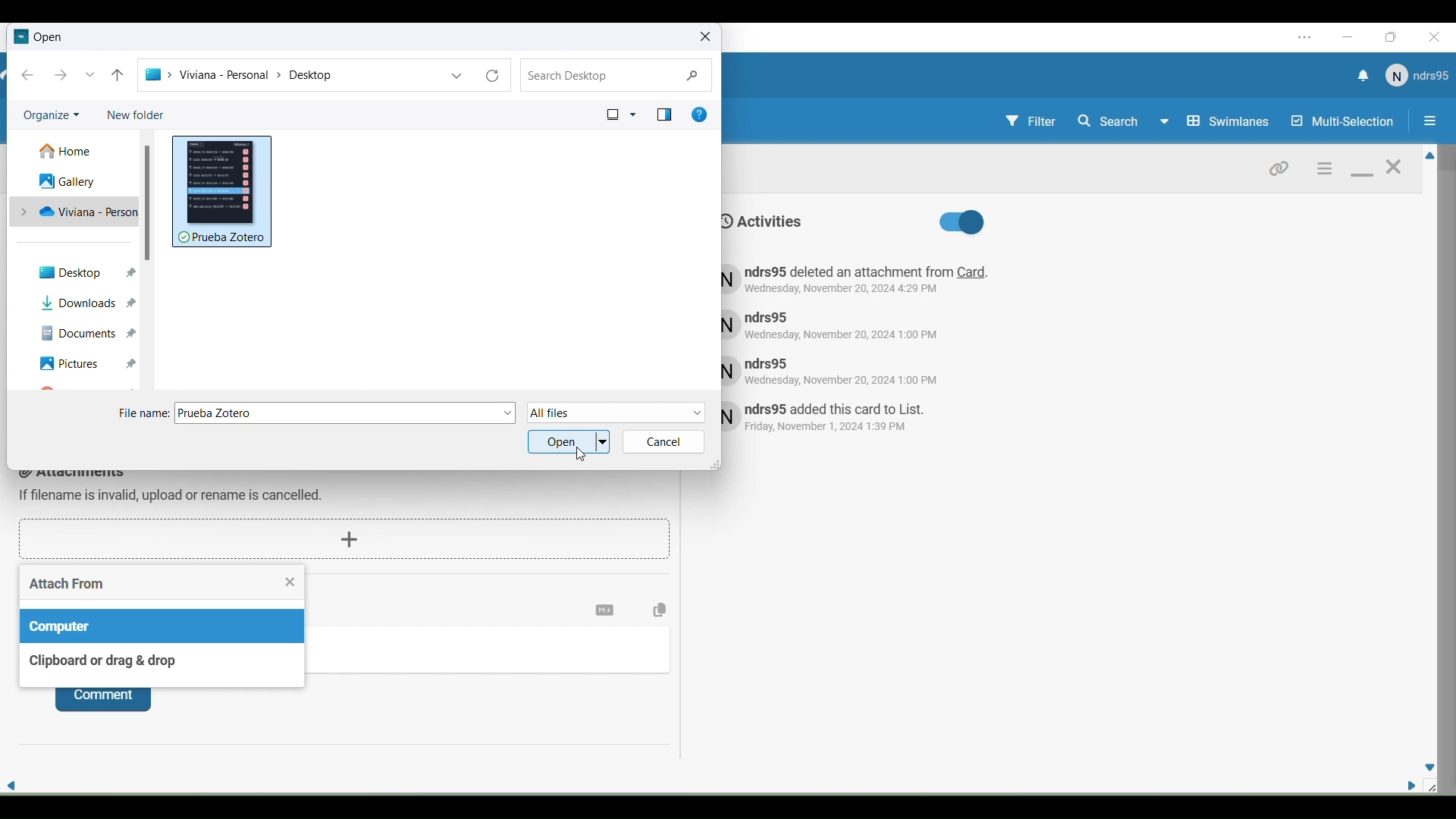 The image size is (1456, 819). I want to click on Organize, so click(56, 117).